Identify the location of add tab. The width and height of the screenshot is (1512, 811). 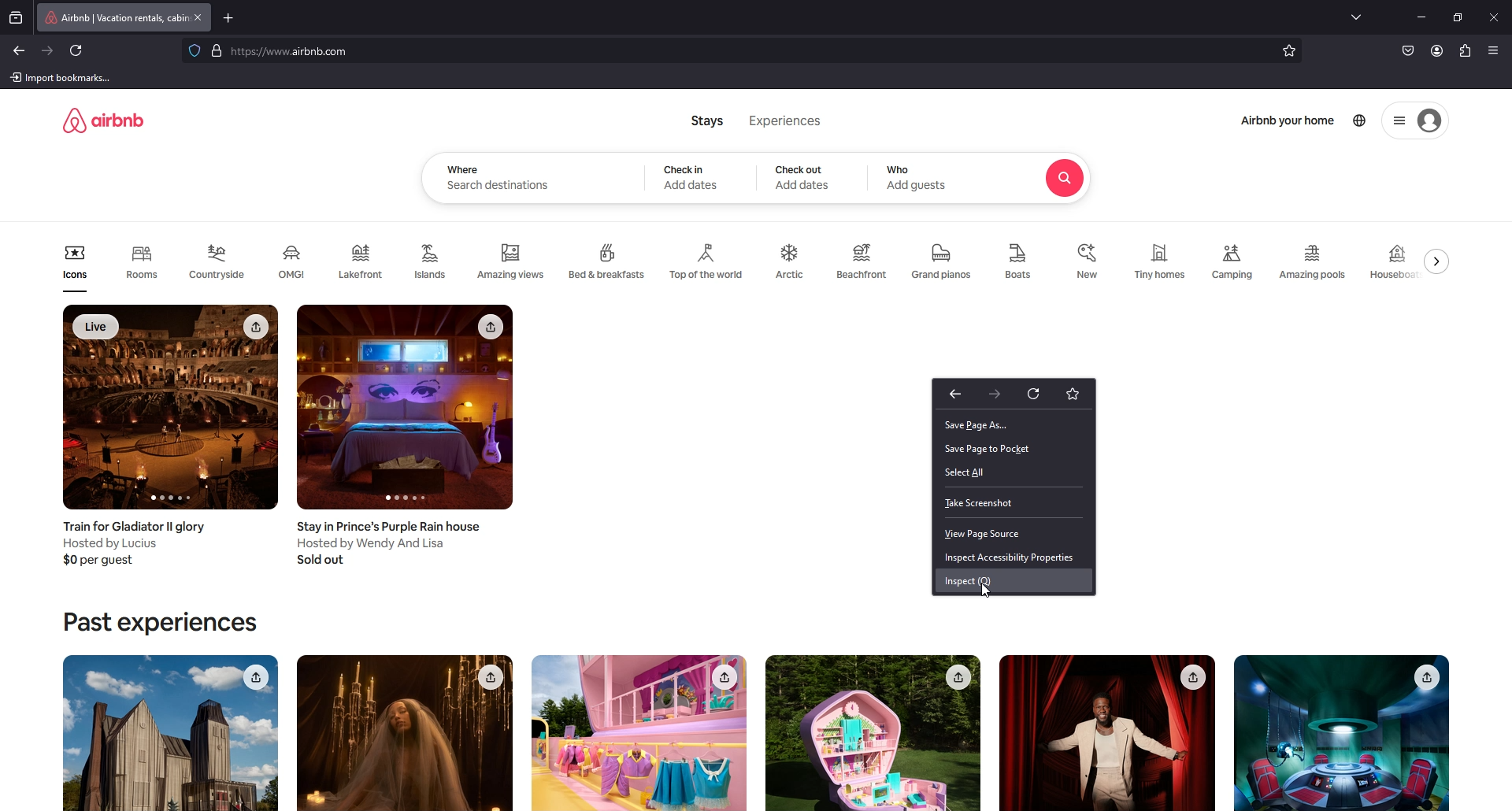
(231, 17).